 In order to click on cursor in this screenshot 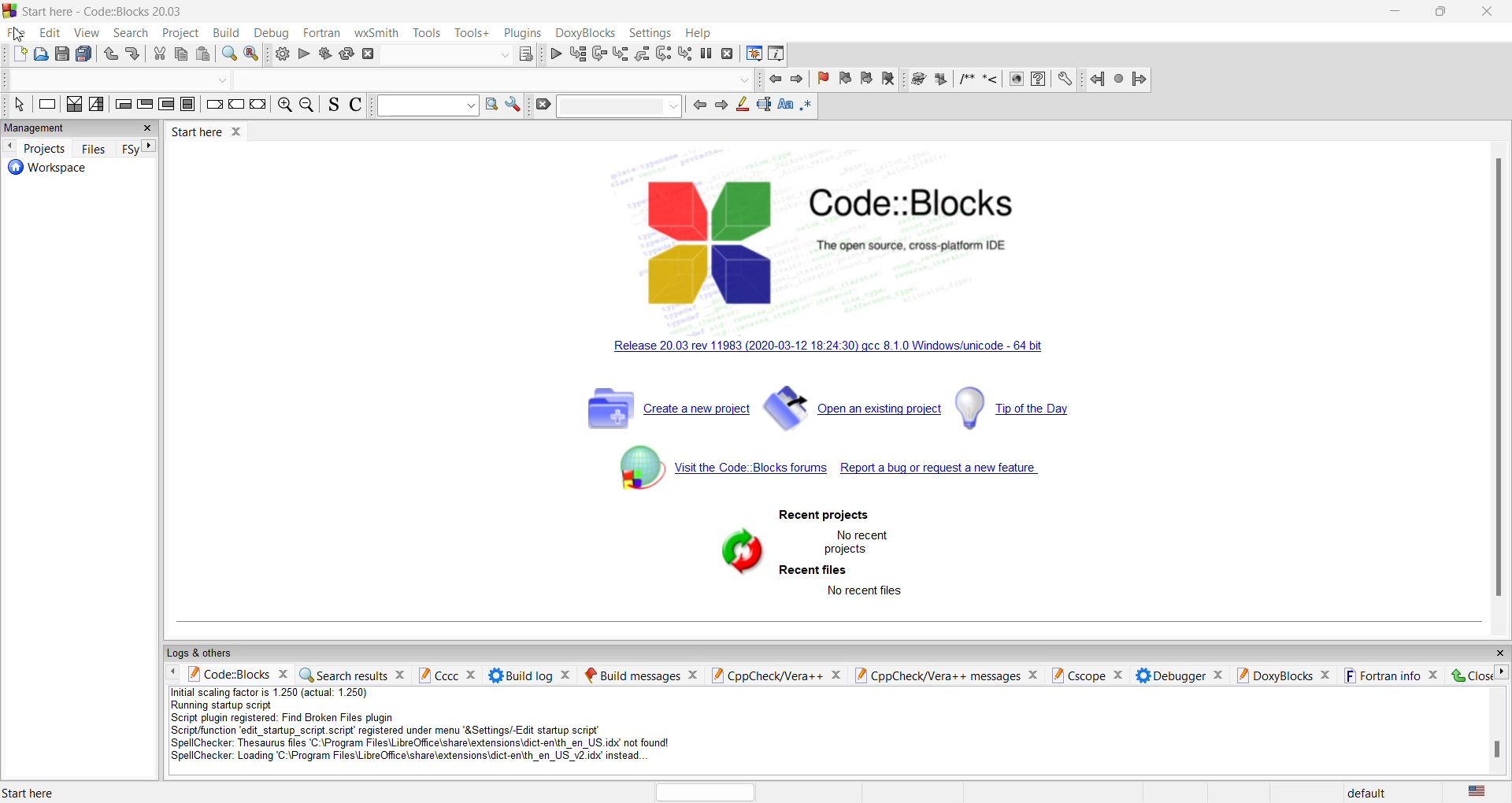, I will do `click(17, 35)`.